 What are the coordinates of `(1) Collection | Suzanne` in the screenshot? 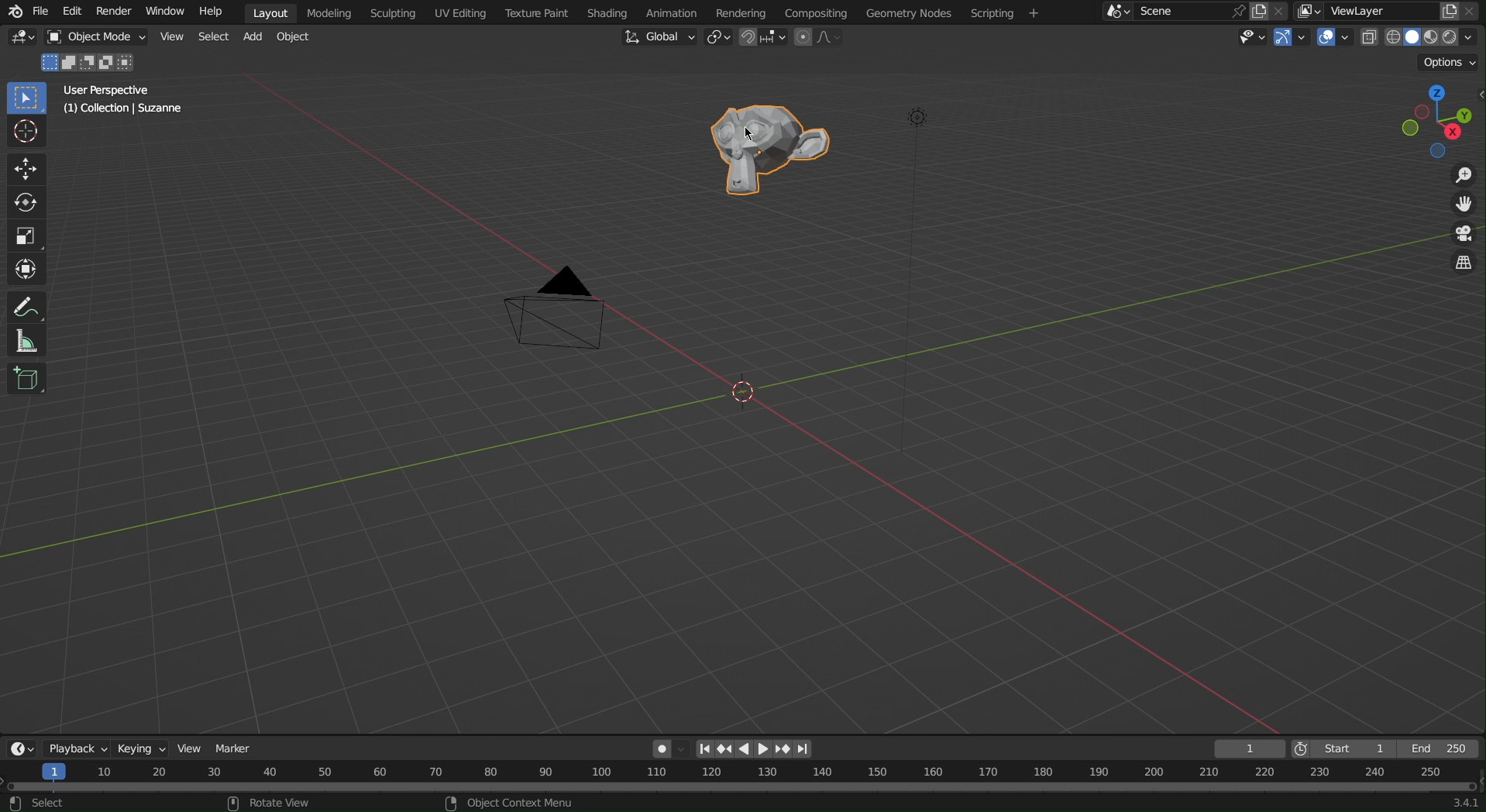 It's located at (126, 109).